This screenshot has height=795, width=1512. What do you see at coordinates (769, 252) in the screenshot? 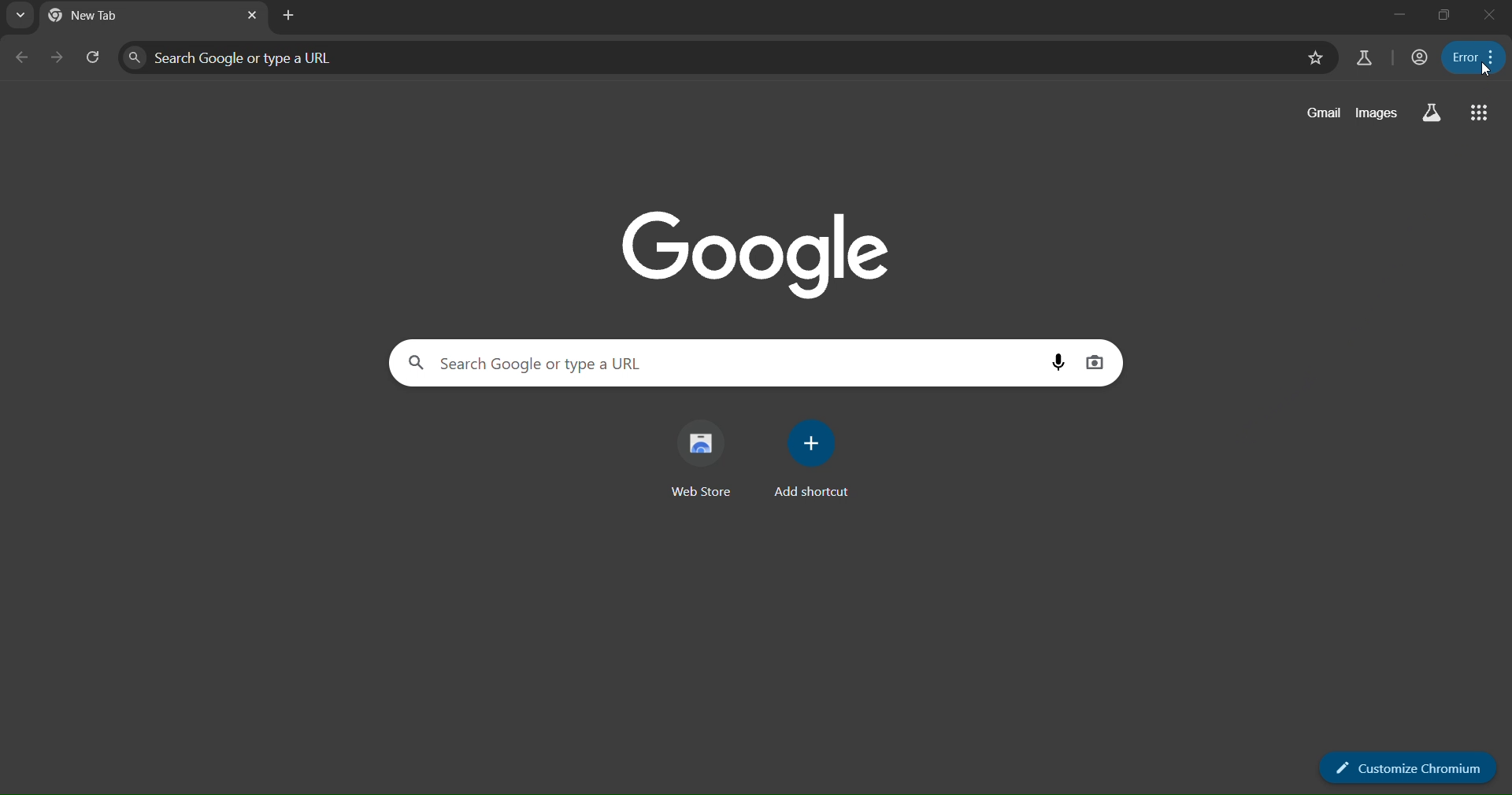
I see `image` at bounding box center [769, 252].